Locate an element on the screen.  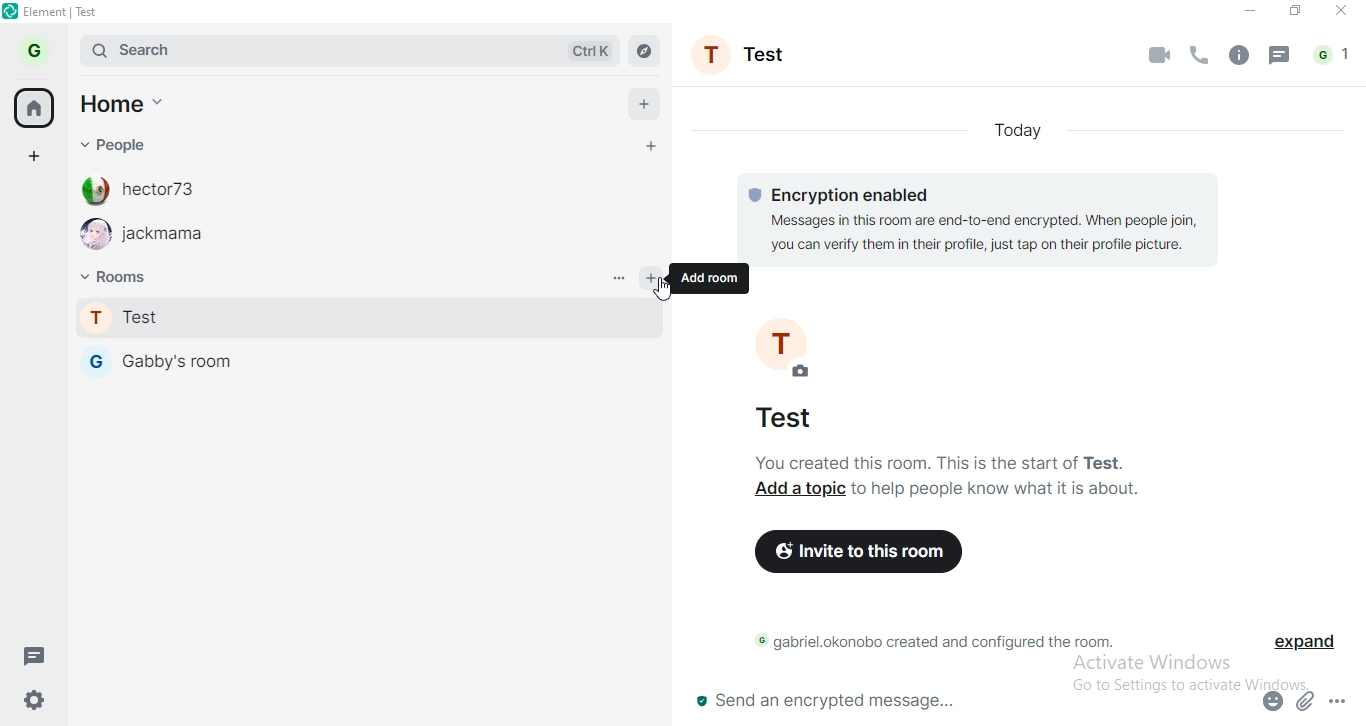
hector73 is located at coordinates (150, 190).